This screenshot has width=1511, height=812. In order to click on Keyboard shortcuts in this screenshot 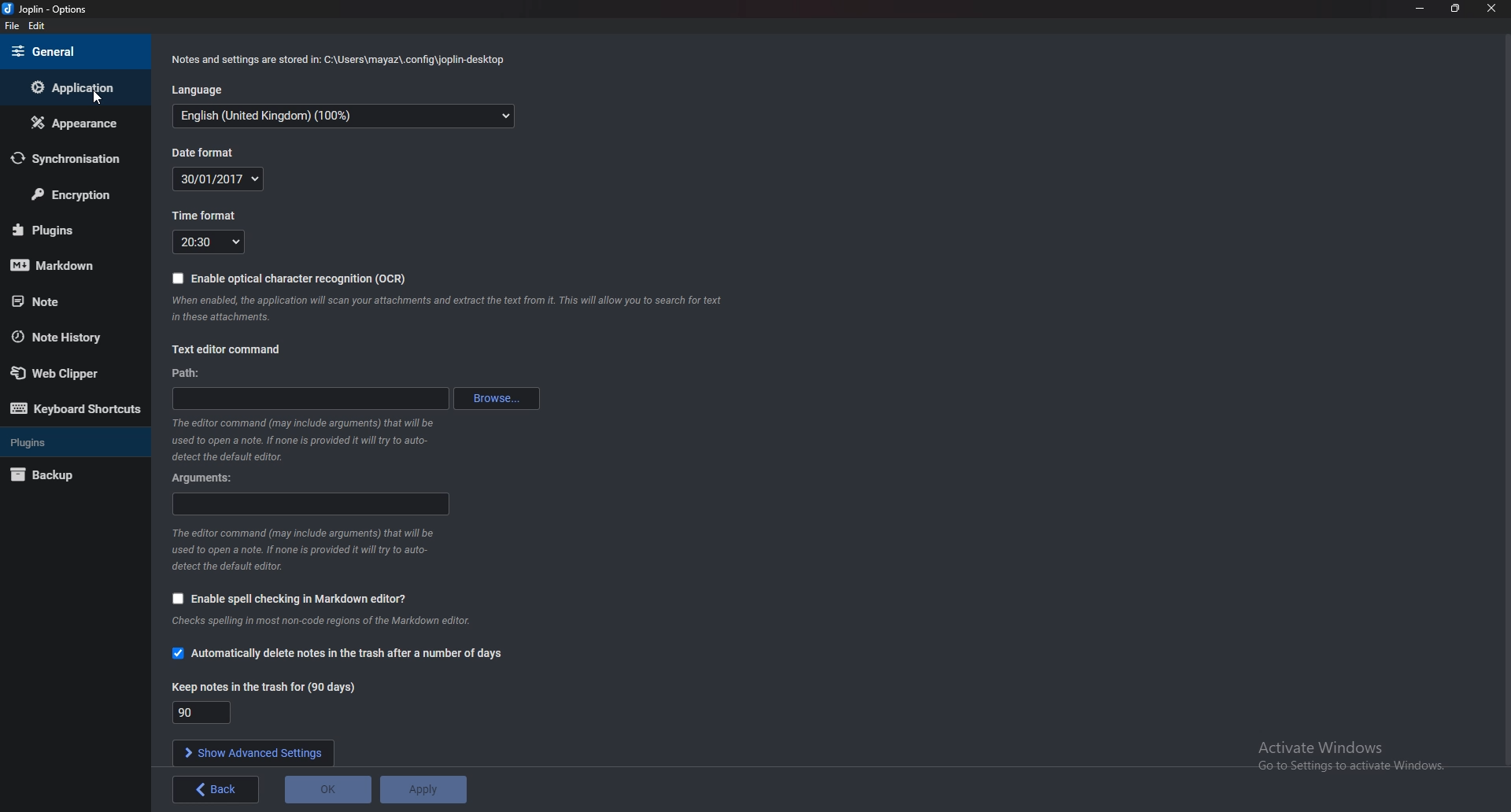, I will do `click(75, 411)`.